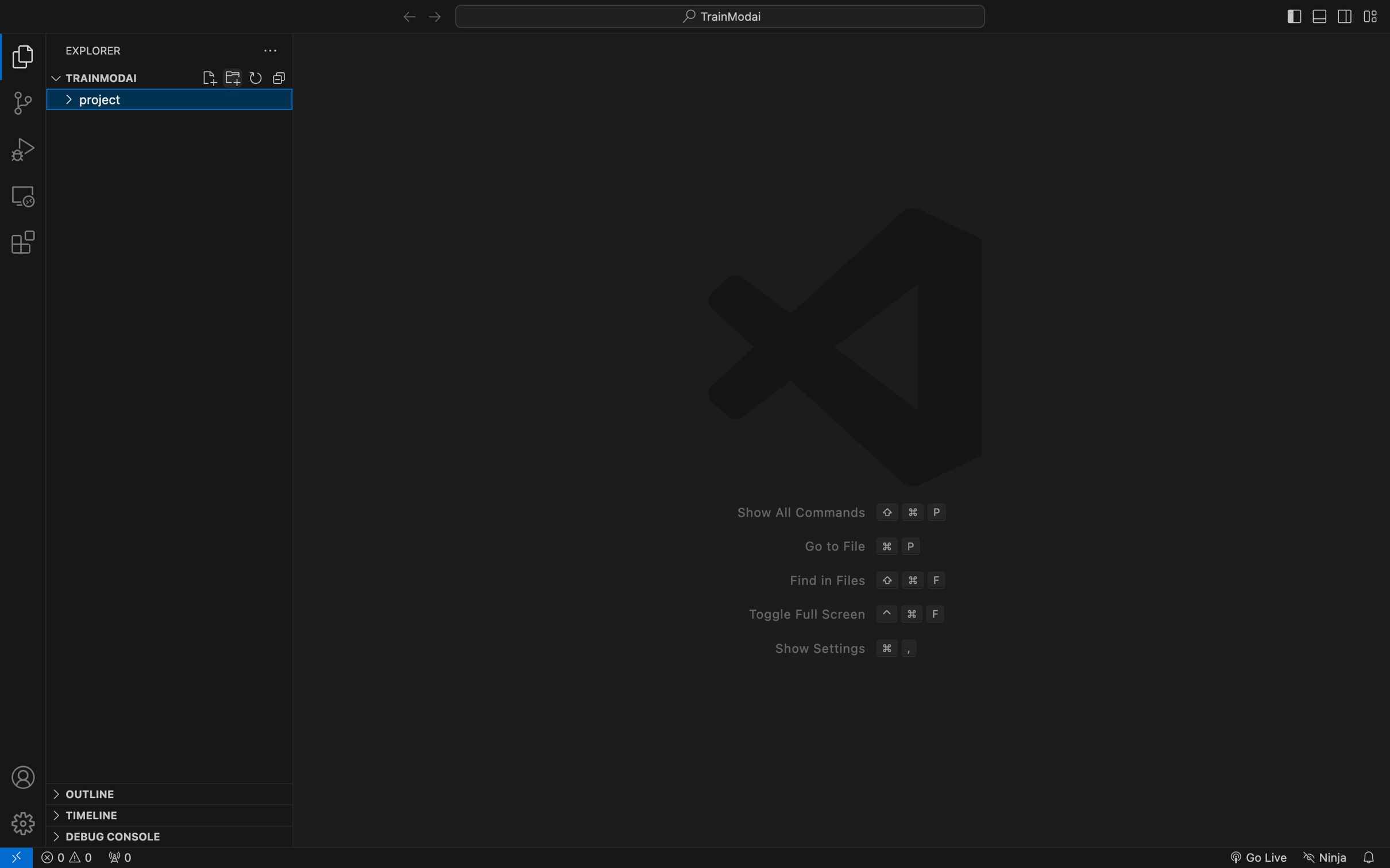  What do you see at coordinates (257, 77) in the screenshot?
I see `reload` at bounding box center [257, 77].